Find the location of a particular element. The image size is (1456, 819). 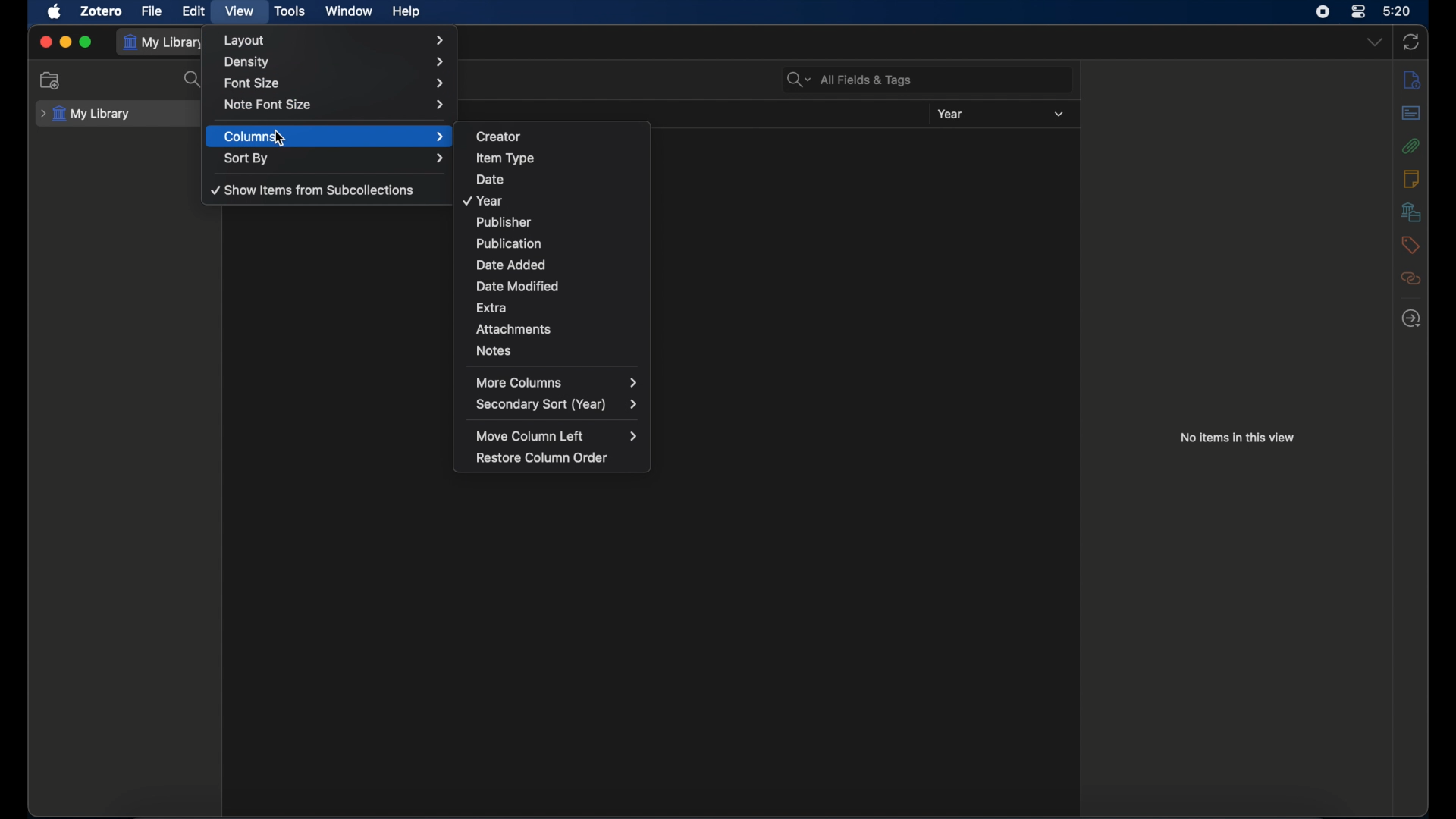

notes is located at coordinates (1410, 178).